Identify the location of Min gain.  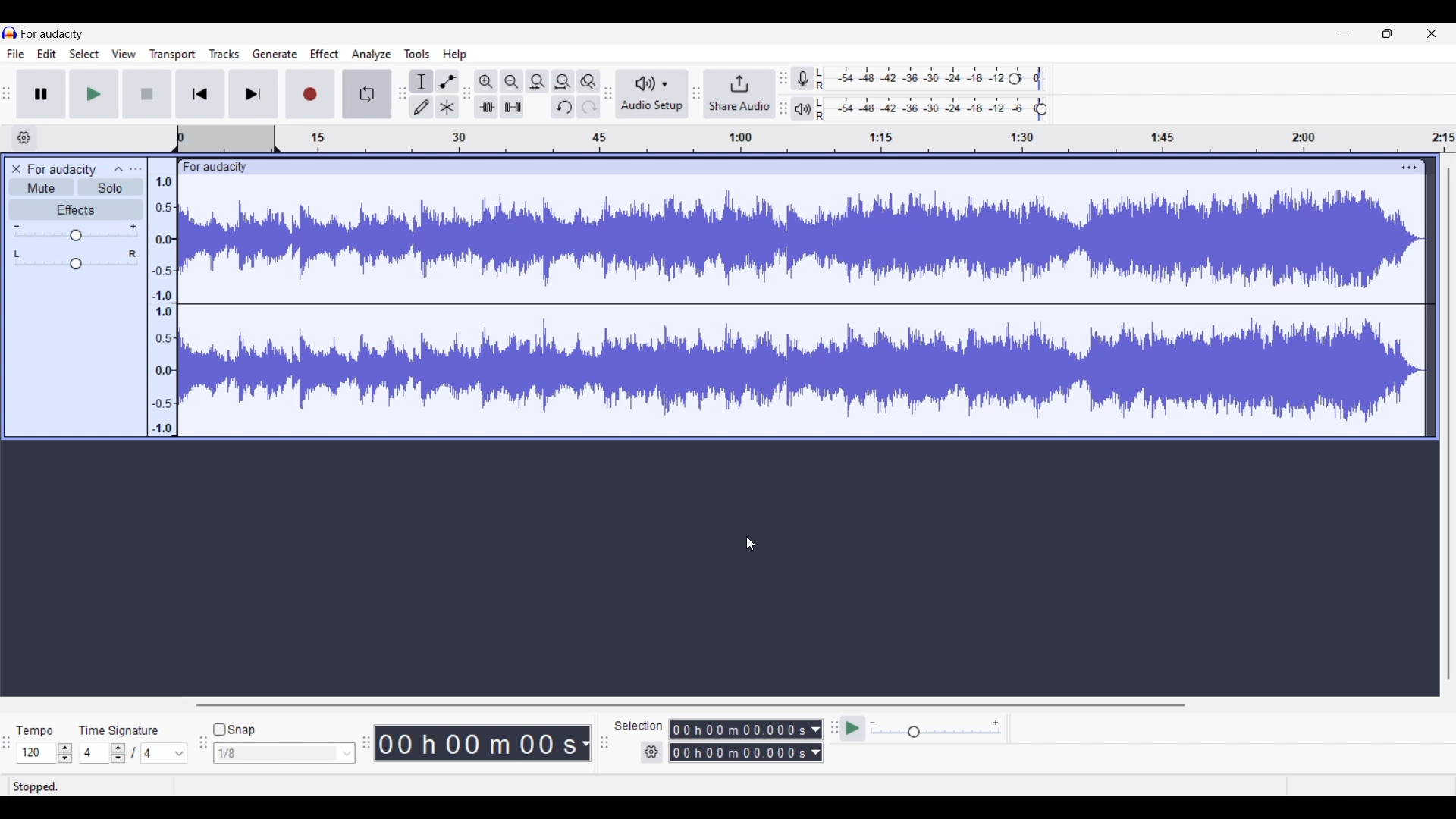
(17, 227).